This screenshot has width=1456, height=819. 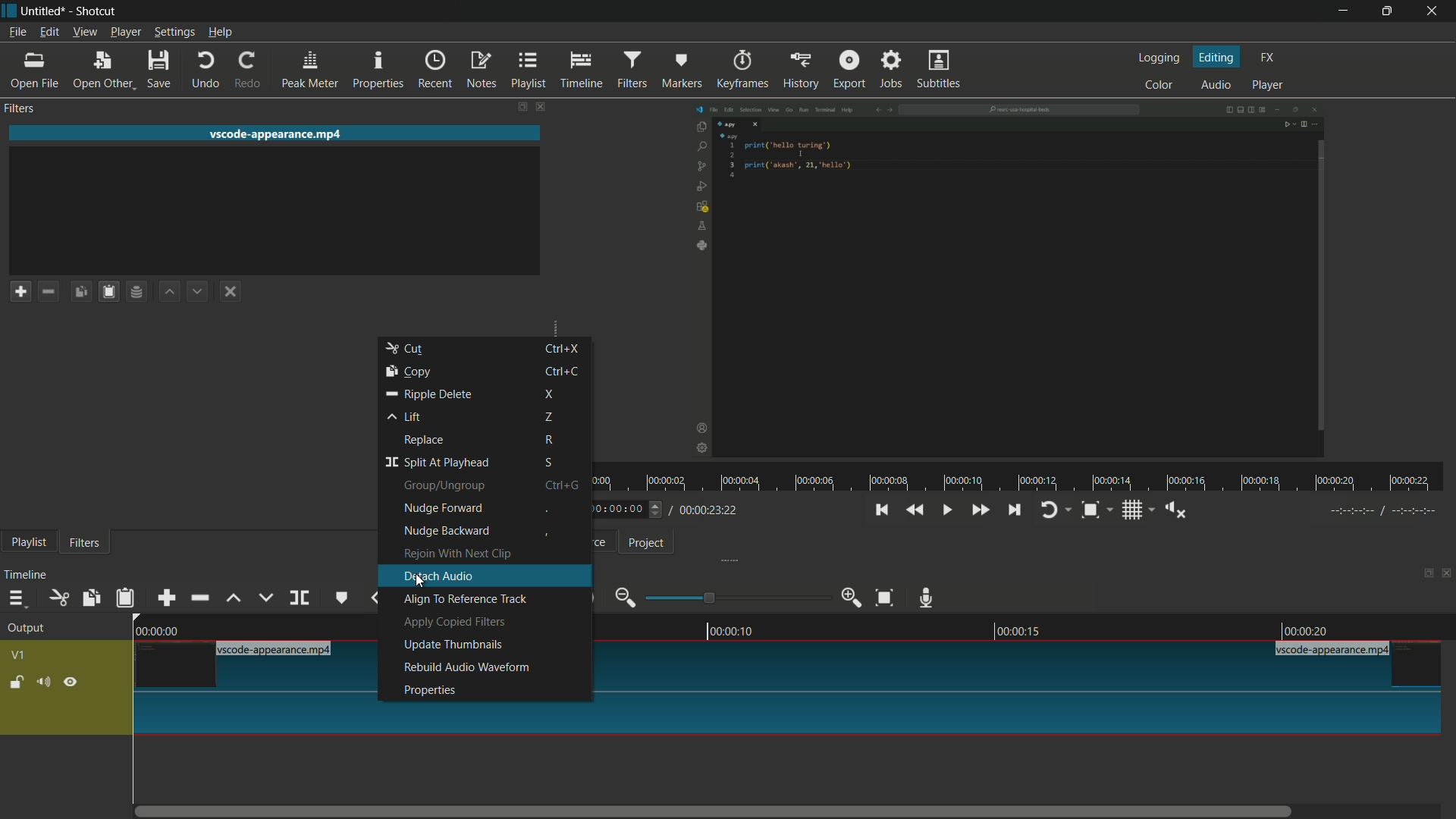 What do you see at coordinates (16, 684) in the screenshot?
I see `lock` at bounding box center [16, 684].